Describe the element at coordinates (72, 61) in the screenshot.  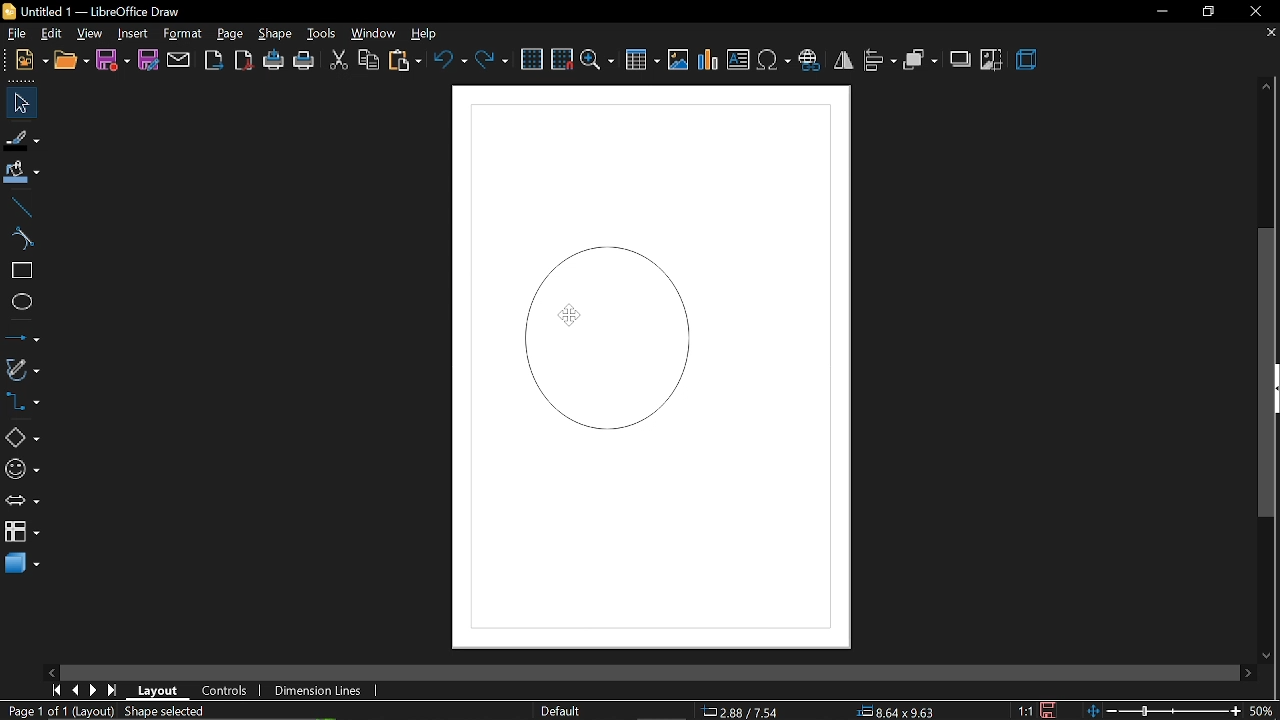
I see `new` at that location.